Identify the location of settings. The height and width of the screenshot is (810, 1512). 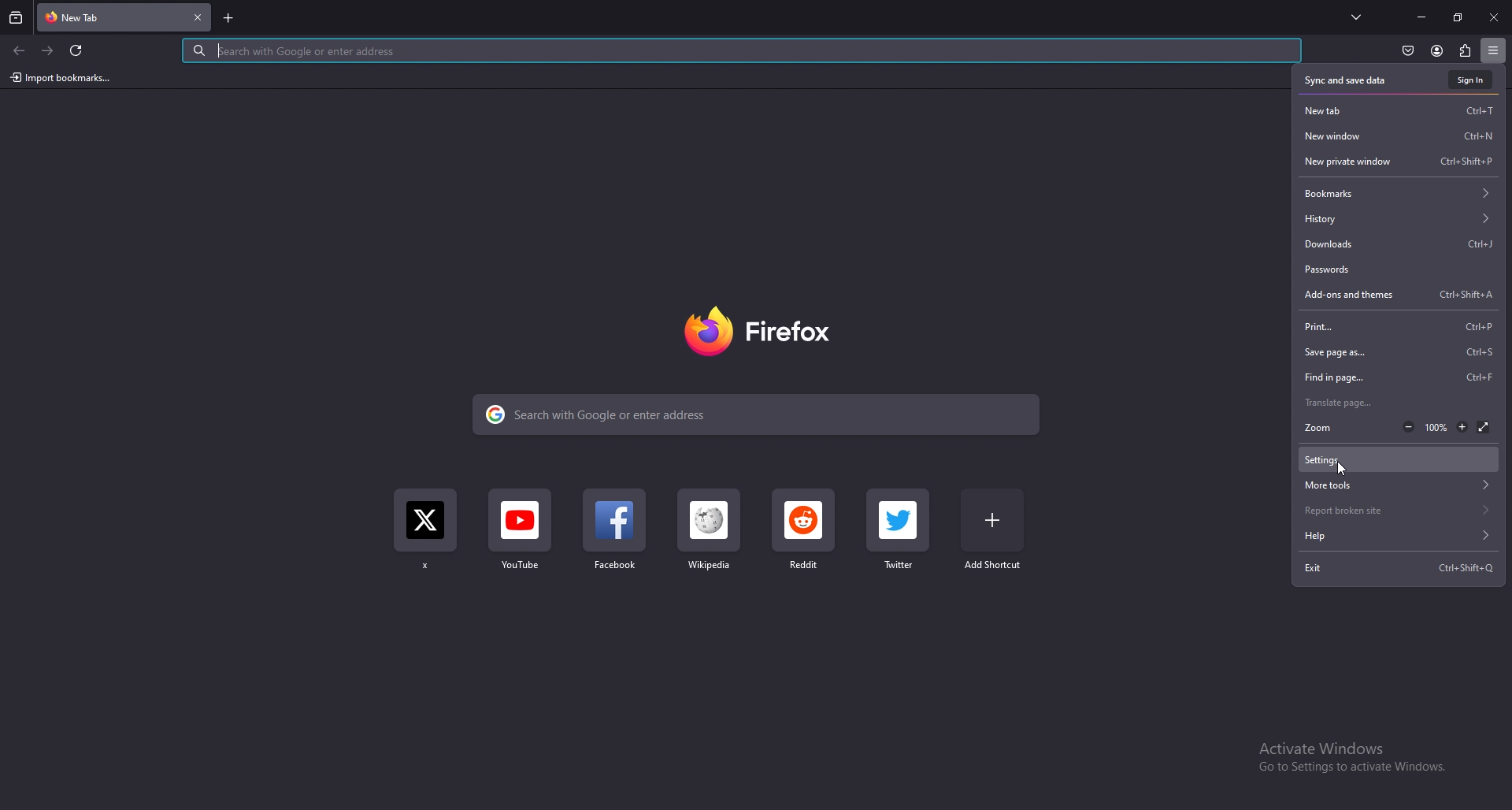
(1388, 459).